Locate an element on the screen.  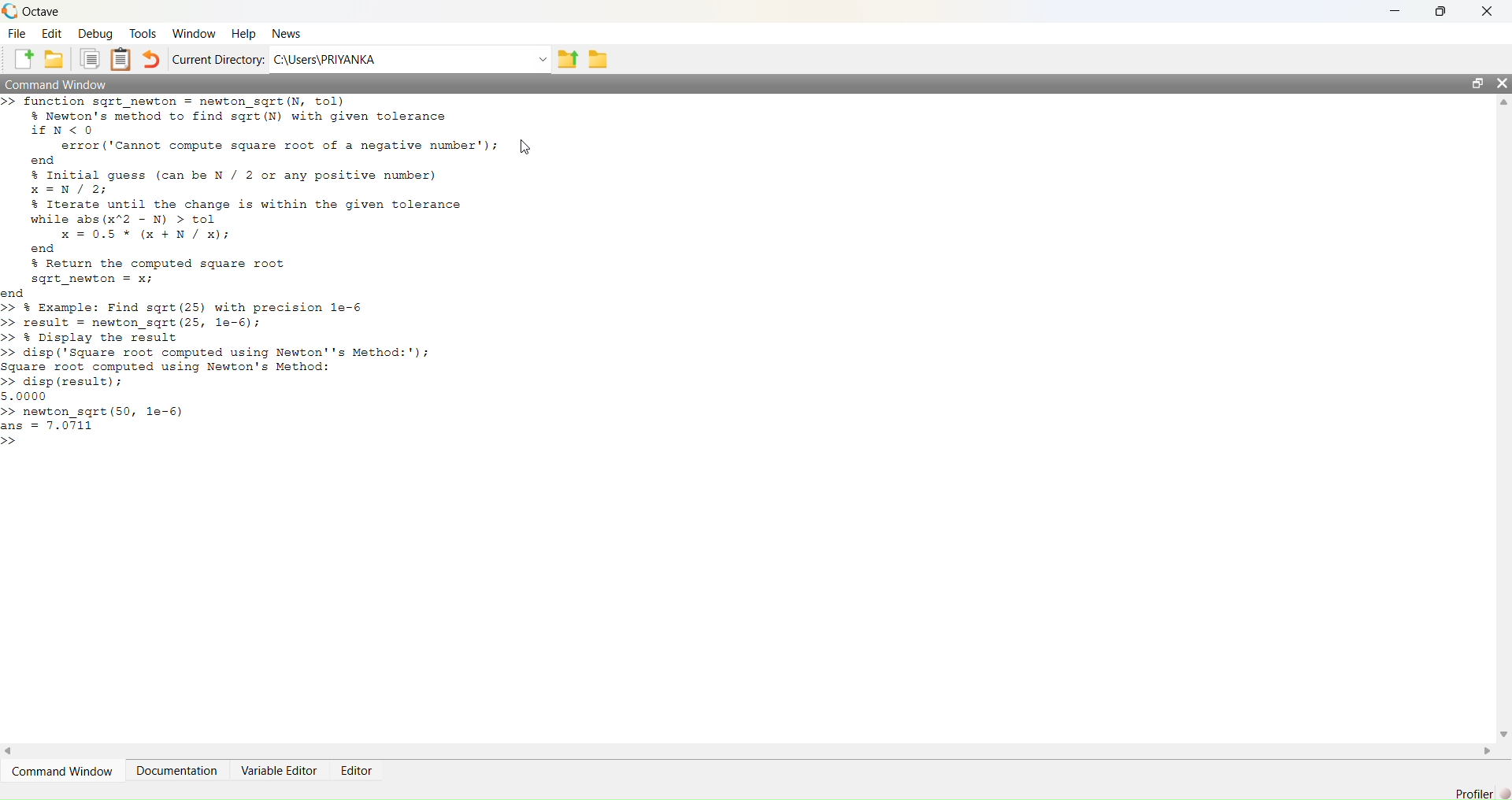
Debug is located at coordinates (98, 35).